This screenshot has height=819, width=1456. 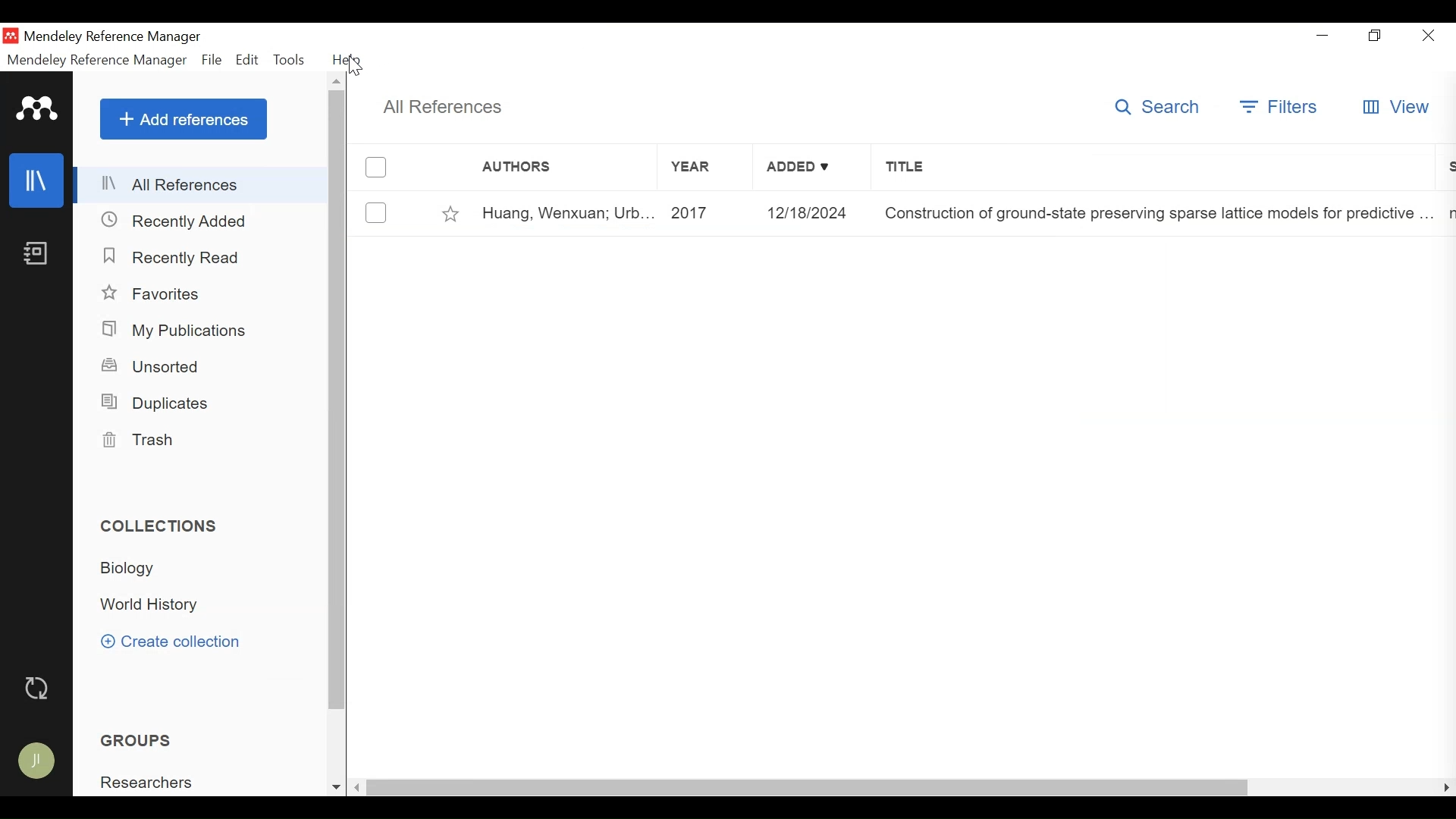 I want to click on (un)select all, so click(x=381, y=166).